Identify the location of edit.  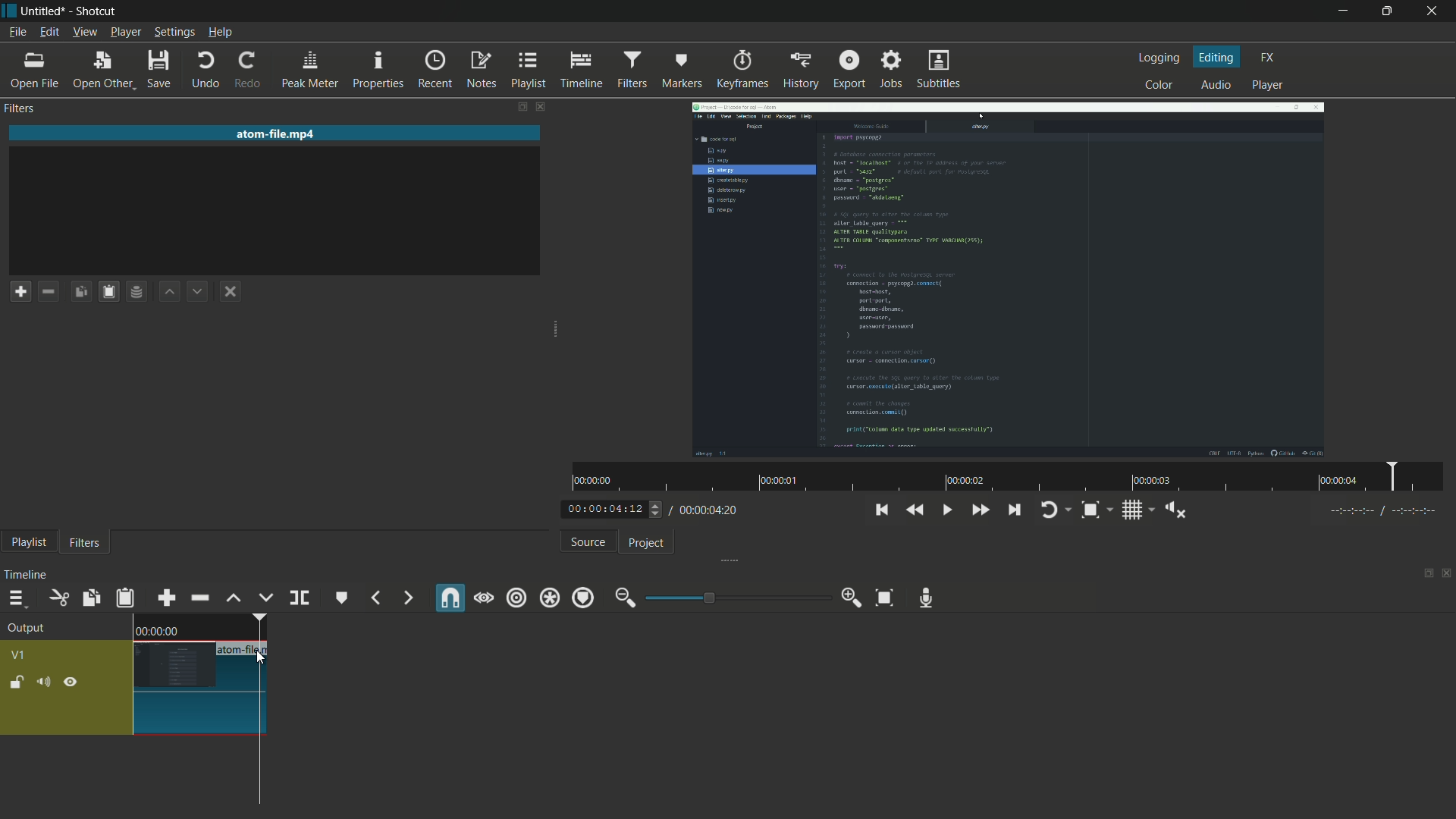
(252, 634).